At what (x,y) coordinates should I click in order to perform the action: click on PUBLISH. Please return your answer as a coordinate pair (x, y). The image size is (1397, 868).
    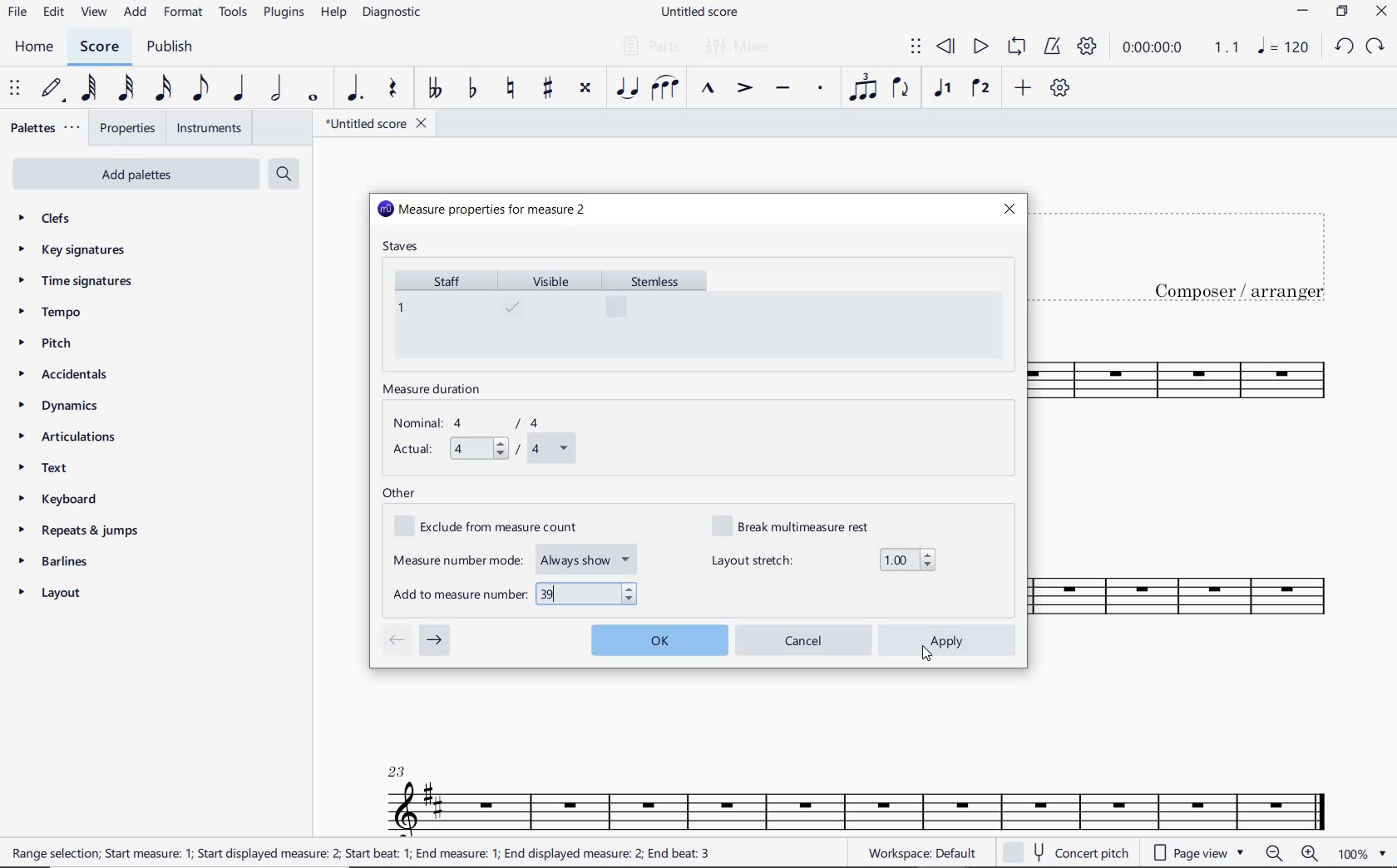
    Looking at the image, I should click on (170, 48).